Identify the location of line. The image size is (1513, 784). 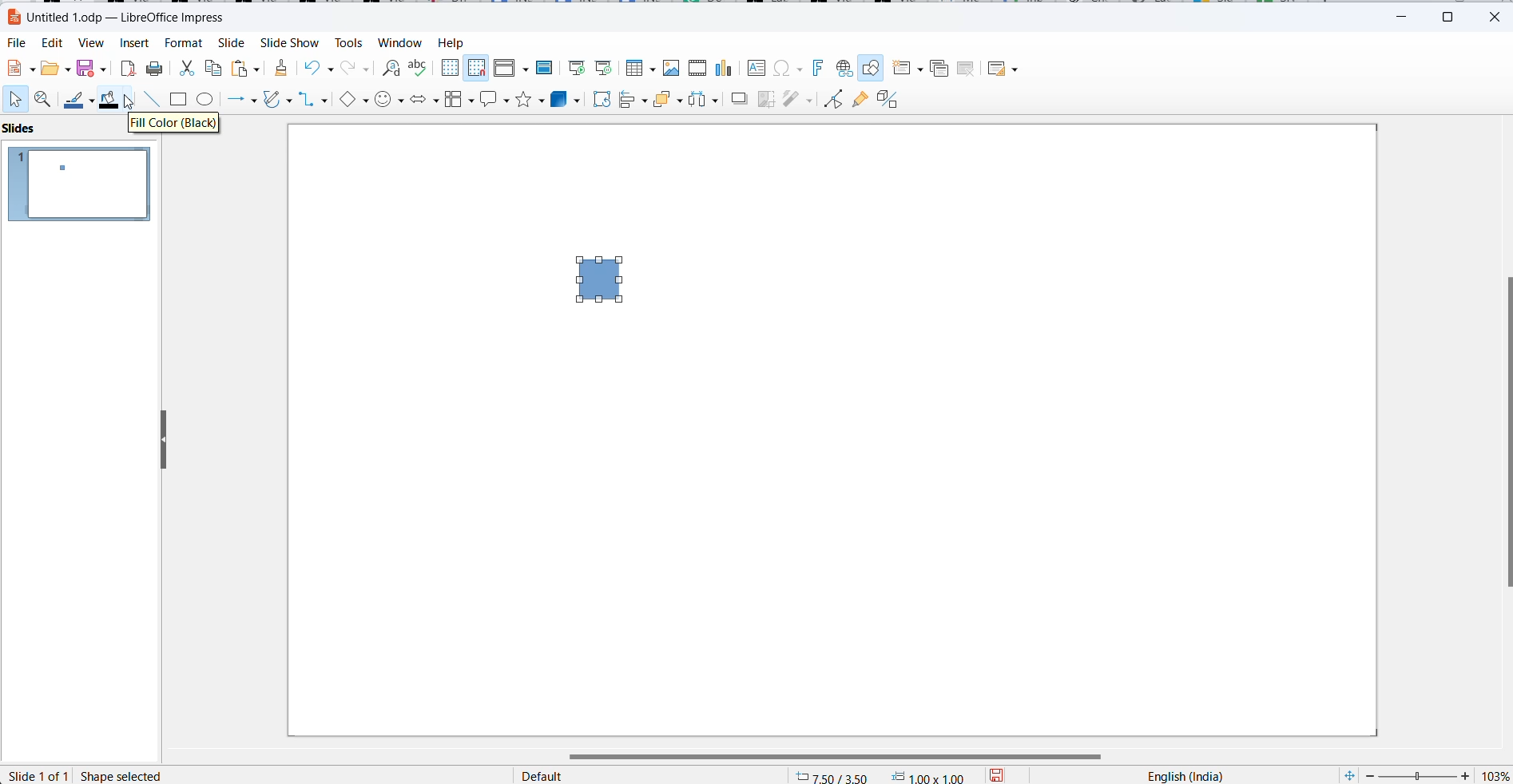
(153, 101).